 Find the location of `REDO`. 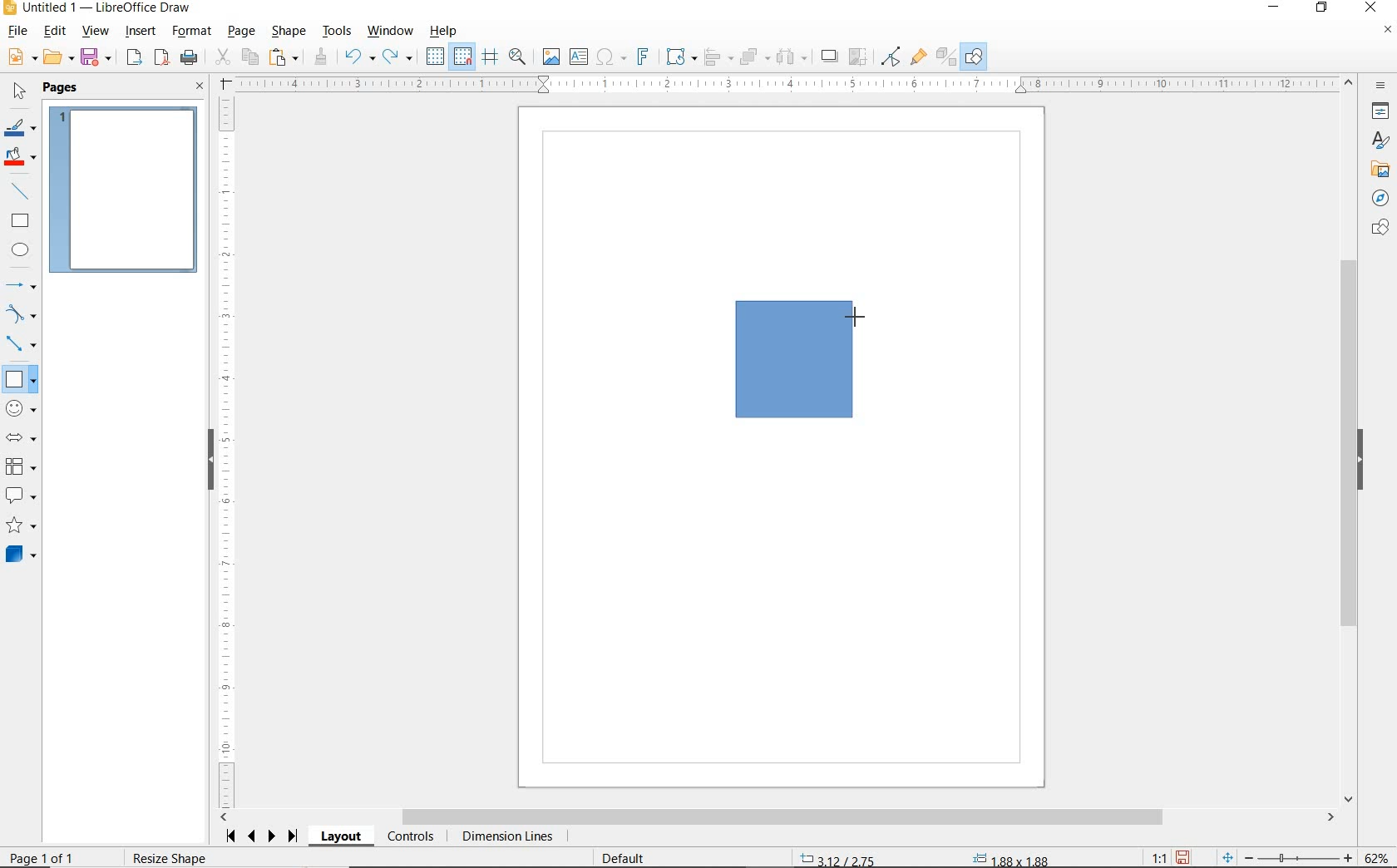

REDO is located at coordinates (402, 57).